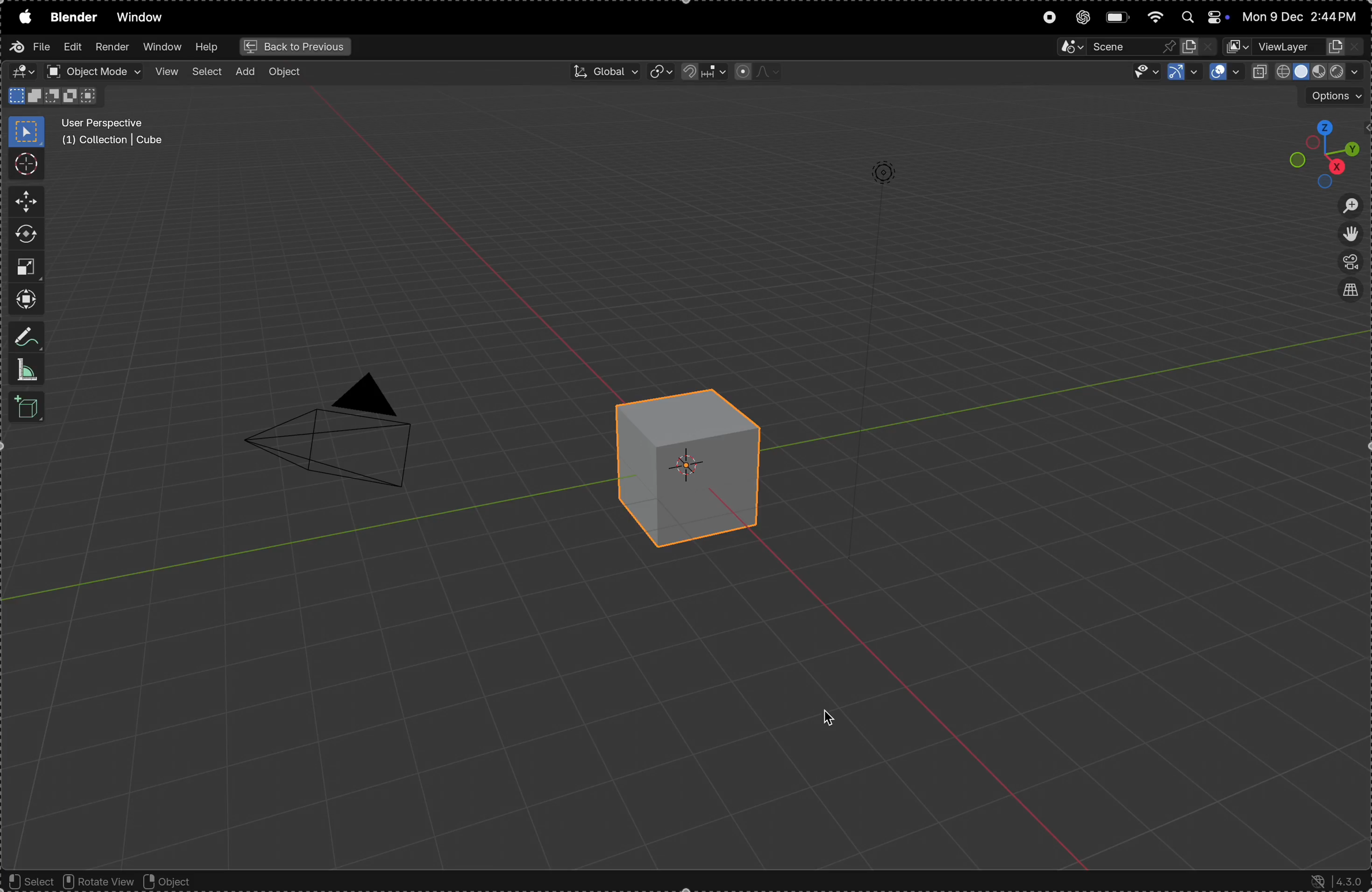 The image size is (1372, 892). I want to click on object, so click(288, 73).